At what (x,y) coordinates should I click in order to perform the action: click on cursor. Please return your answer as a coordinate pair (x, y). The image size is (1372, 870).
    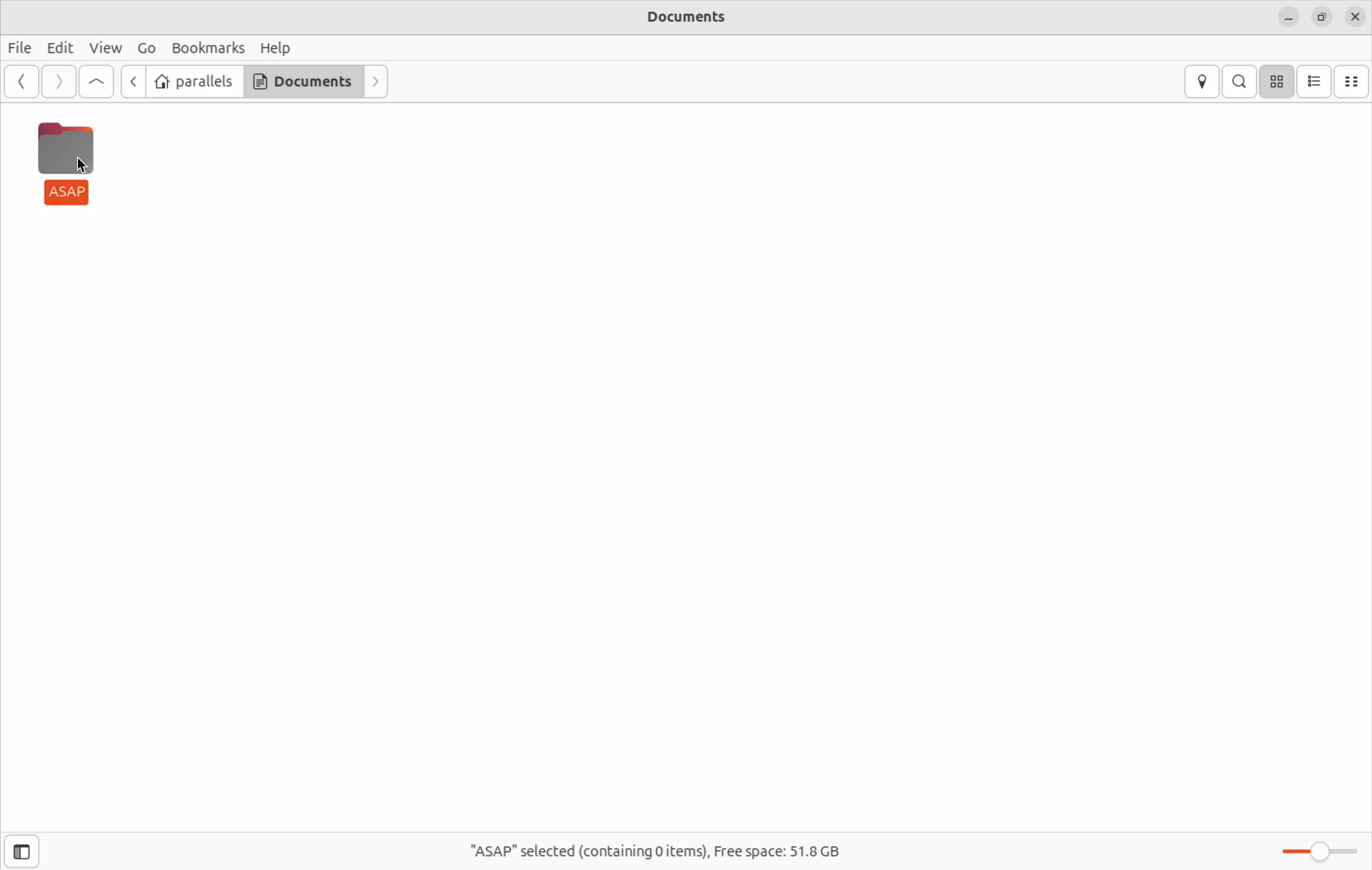
    Looking at the image, I should click on (84, 164).